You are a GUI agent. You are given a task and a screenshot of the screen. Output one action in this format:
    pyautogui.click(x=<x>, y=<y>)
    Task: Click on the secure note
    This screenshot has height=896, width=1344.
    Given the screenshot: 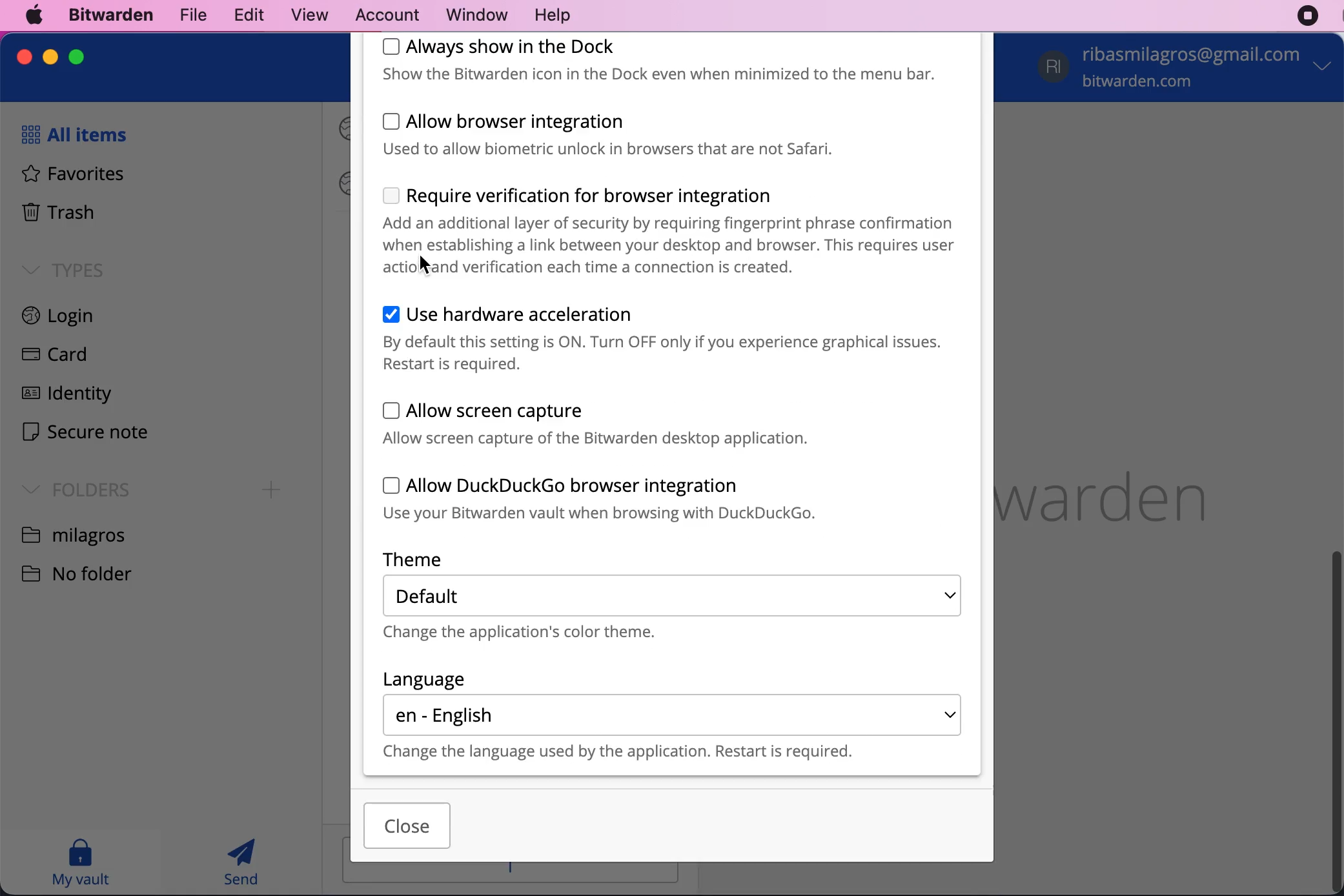 What is the action you would take?
    pyautogui.click(x=85, y=434)
    